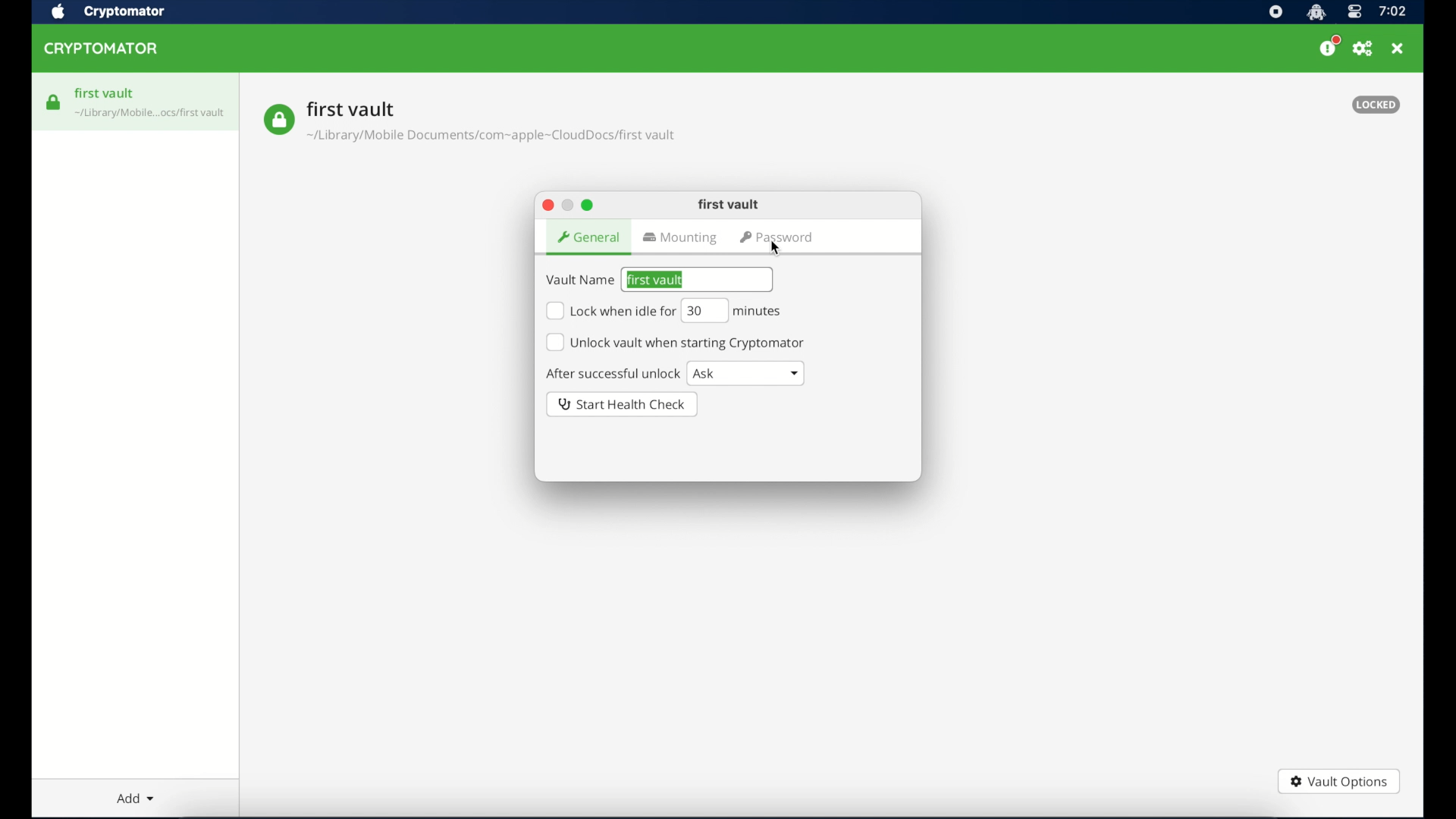 This screenshot has height=819, width=1456. I want to click on cryptomator, so click(102, 49).